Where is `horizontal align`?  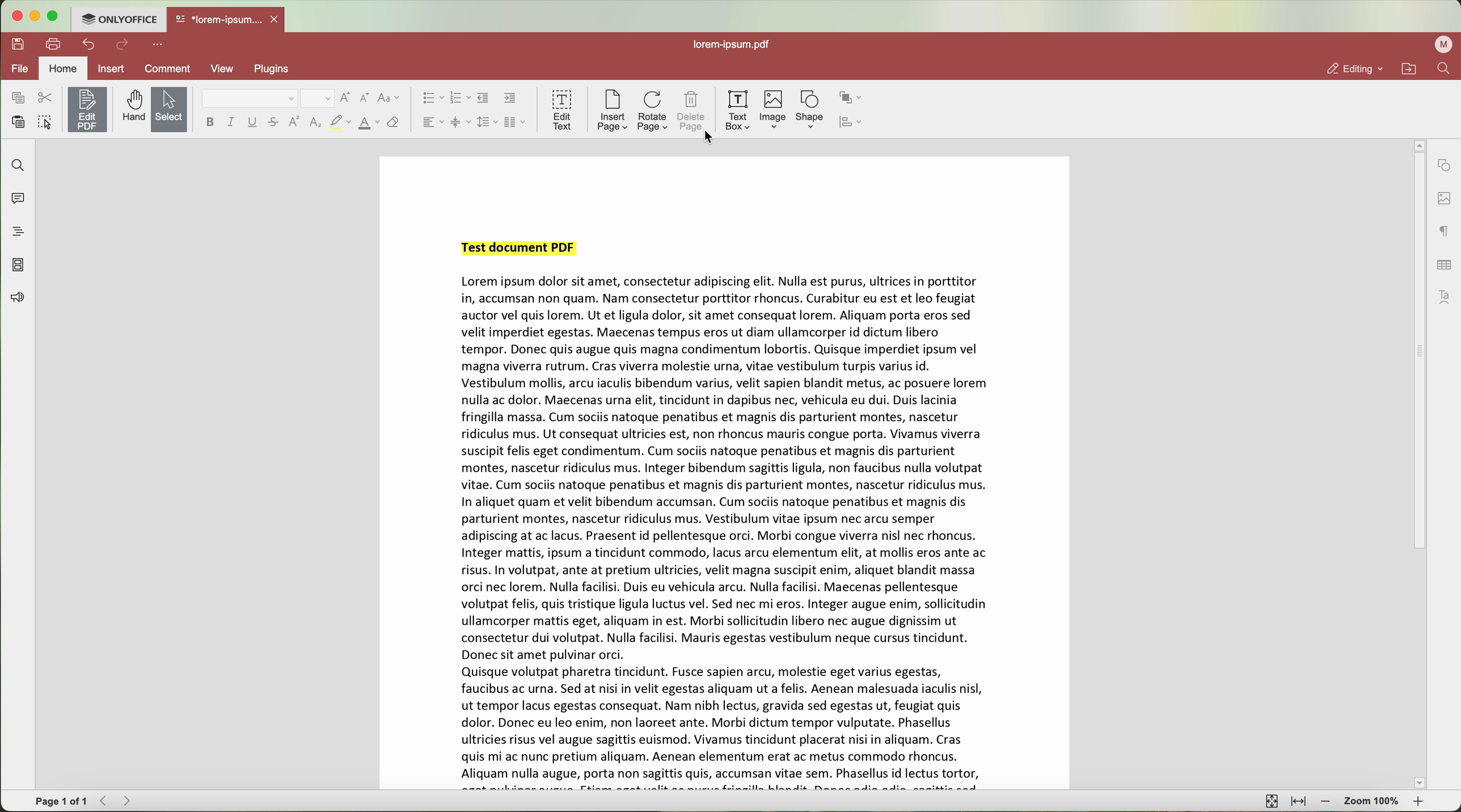 horizontal align is located at coordinates (432, 122).